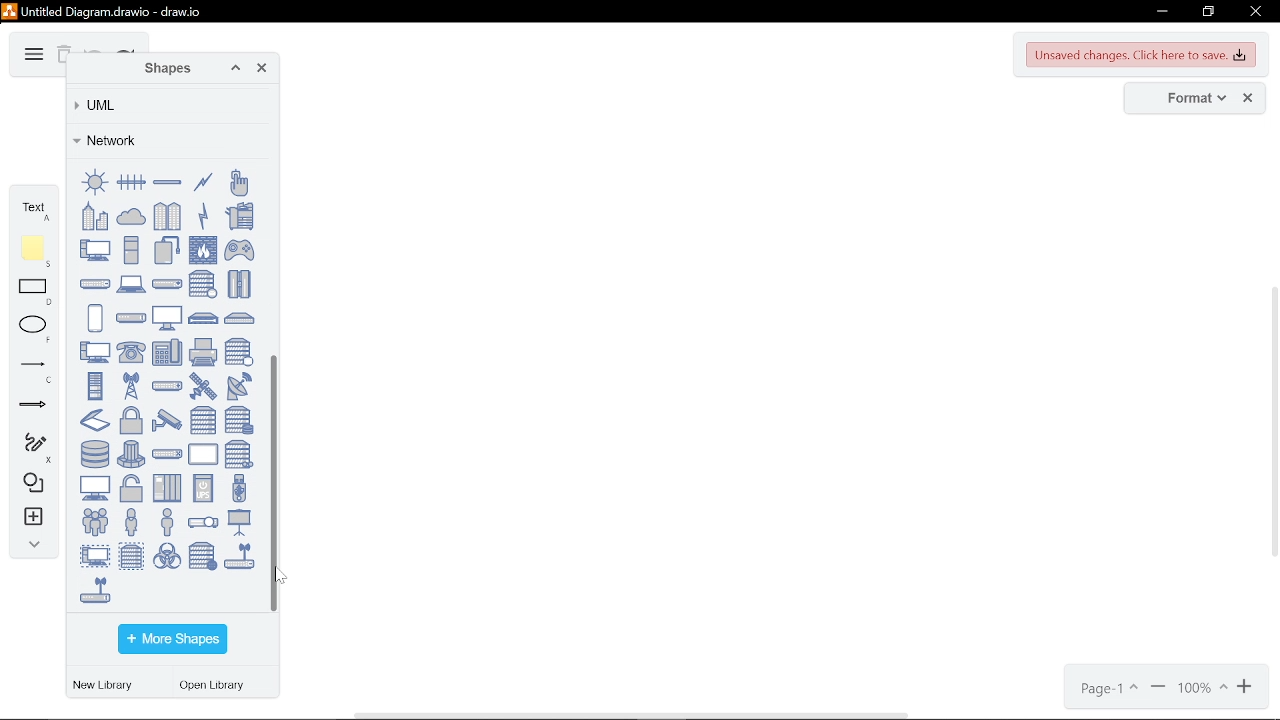 The image size is (1280, 720). What do you see at coordinates (239, 284) in the screenshot?
I see `mainframe` at bounding box center [239, 284].